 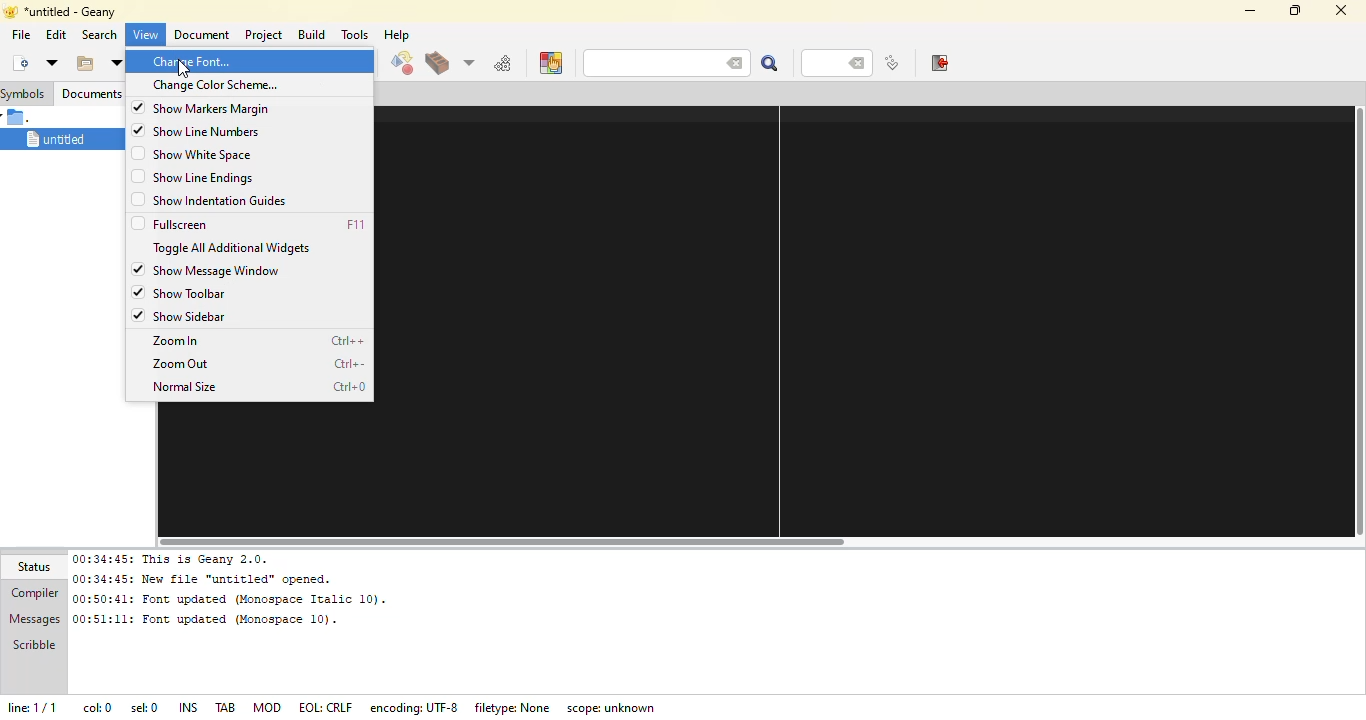 I want to click on build, so click(x=436, y=65).